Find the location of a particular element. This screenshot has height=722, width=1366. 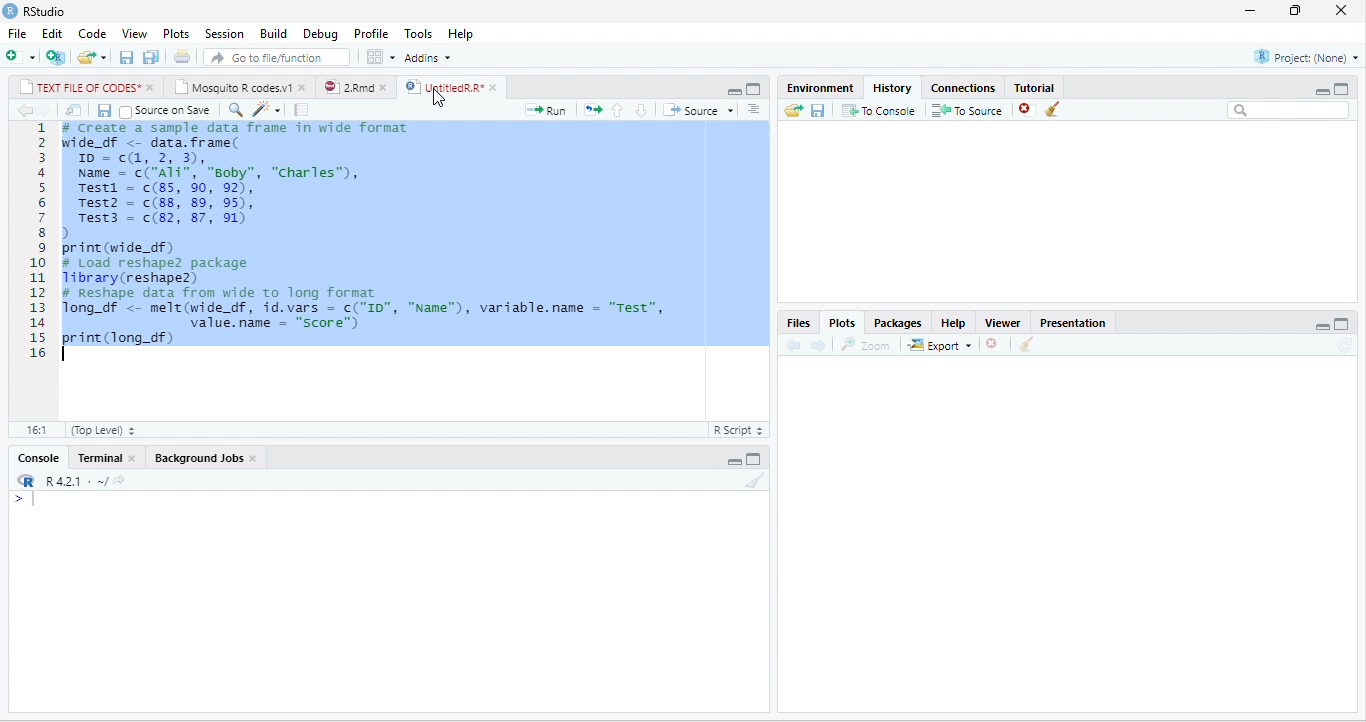

Run is located at coordinates (545, 110).